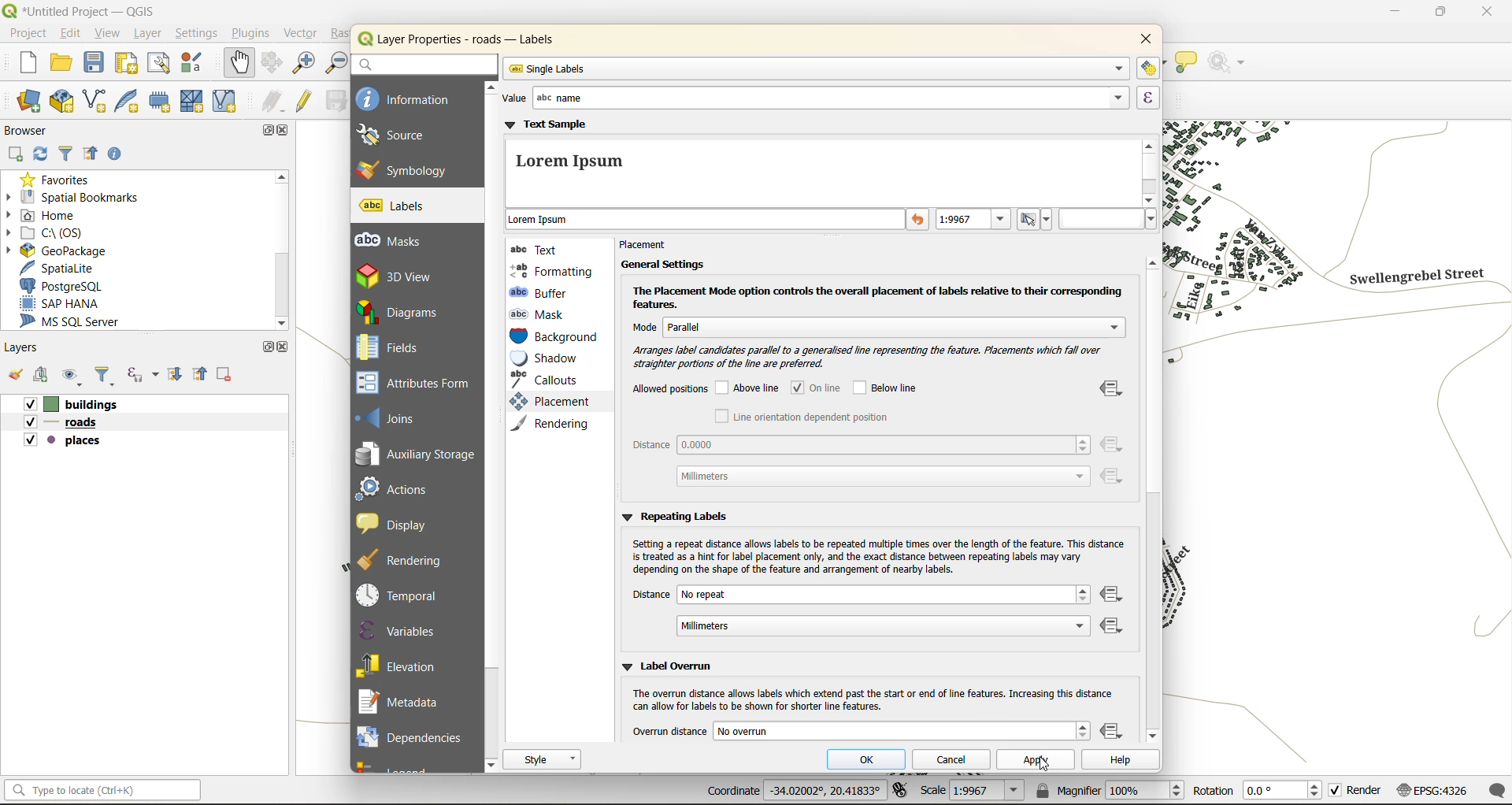  I want to click on show layout, so click(157, 63).